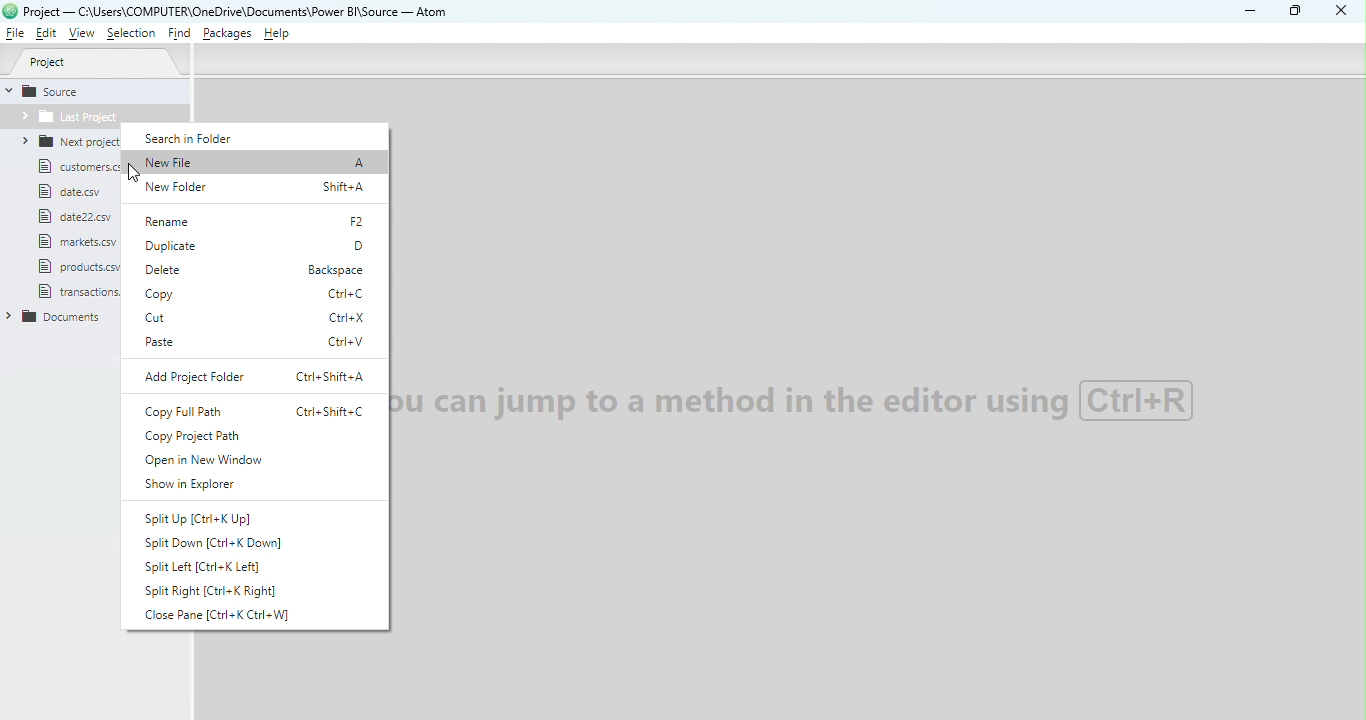 Image resolution: width=1366 pixels, height=720 pixels. I want to click on View, so click(78, 34).